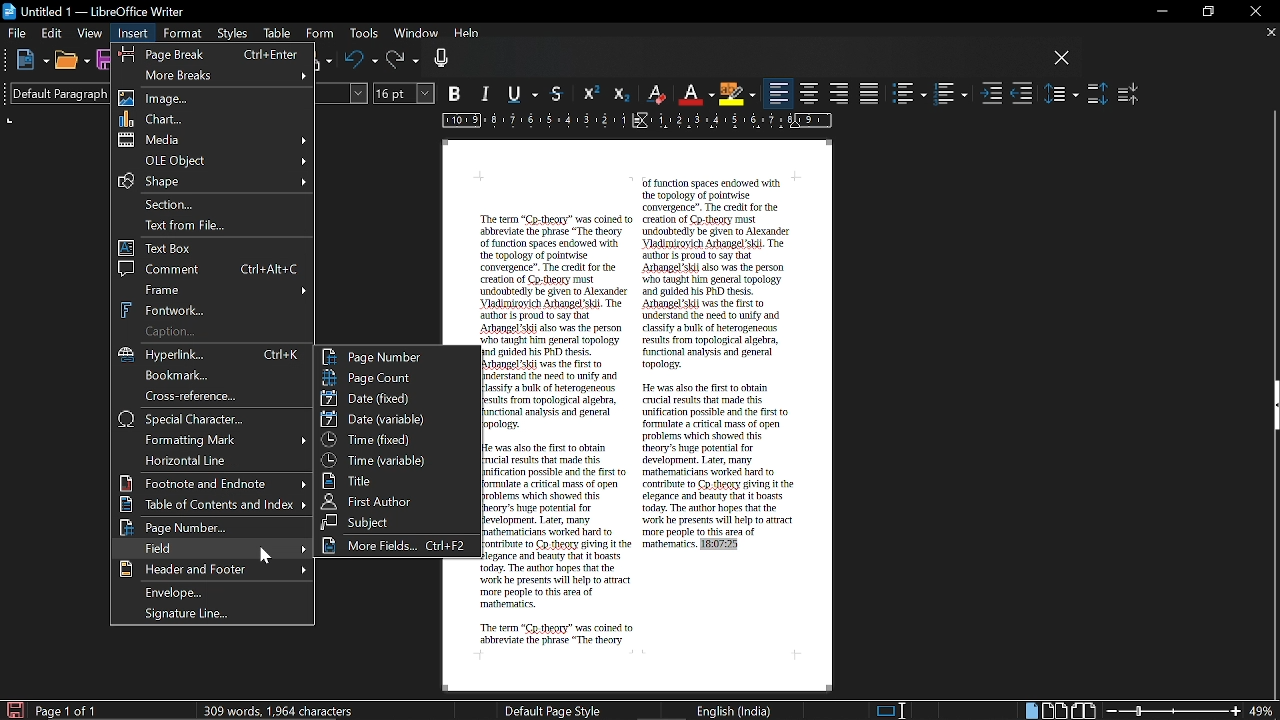  I want to click on text from file, so click(214, 227).